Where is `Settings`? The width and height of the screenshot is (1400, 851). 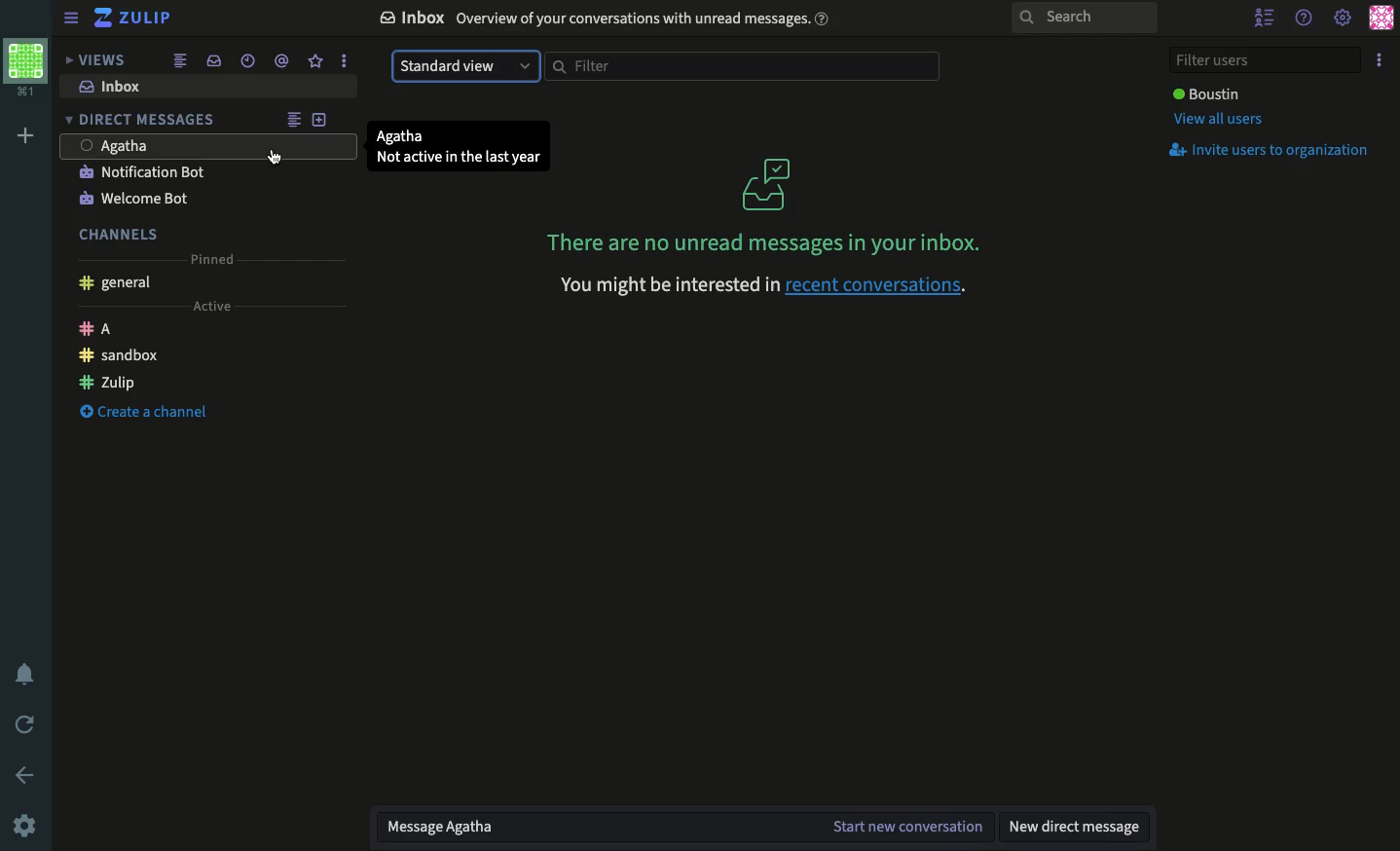
Settings is located at coordinates (25, 825).